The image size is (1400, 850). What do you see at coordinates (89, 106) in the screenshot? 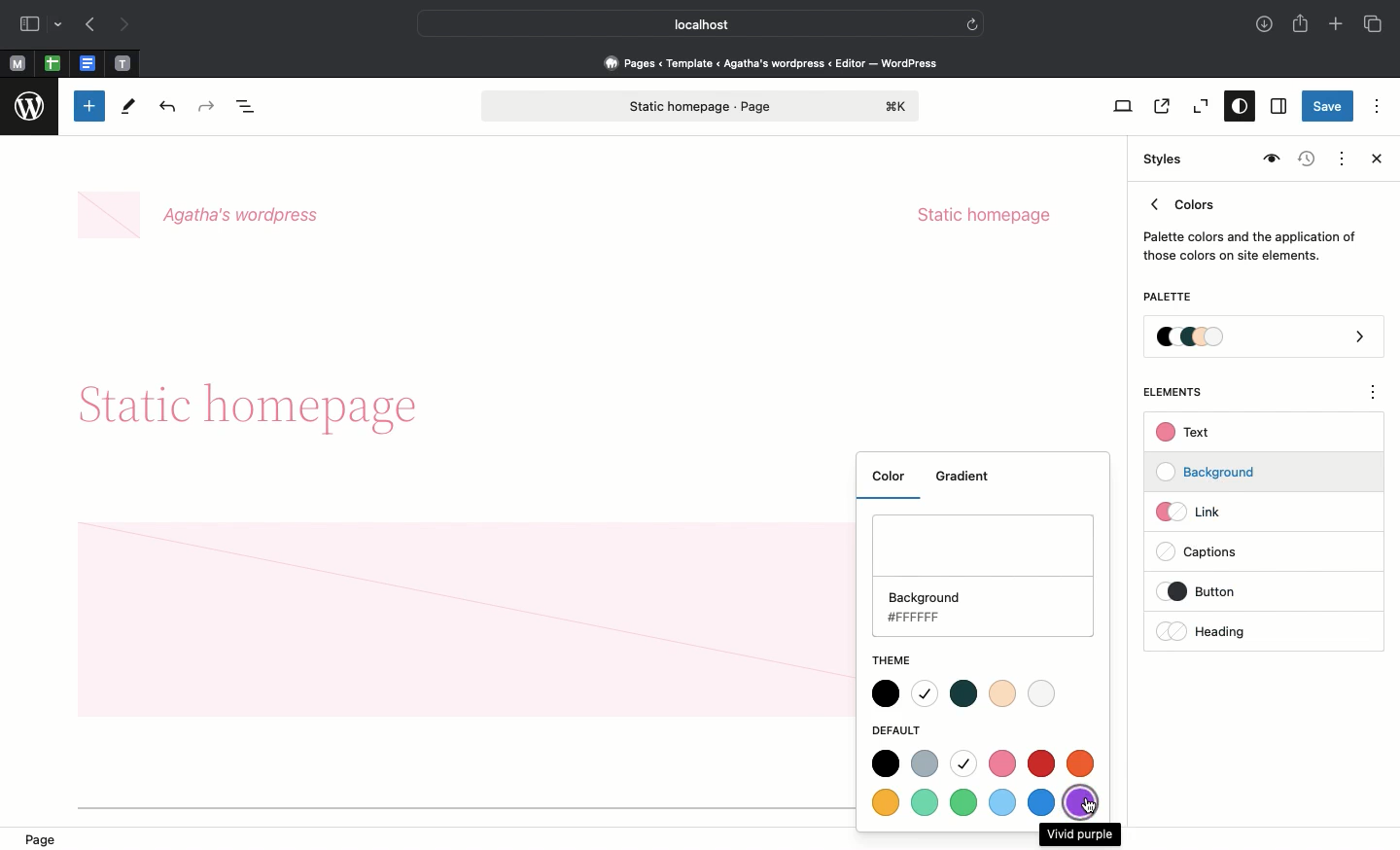
I see `Toggle blocker` at bounding box center [89, 106].